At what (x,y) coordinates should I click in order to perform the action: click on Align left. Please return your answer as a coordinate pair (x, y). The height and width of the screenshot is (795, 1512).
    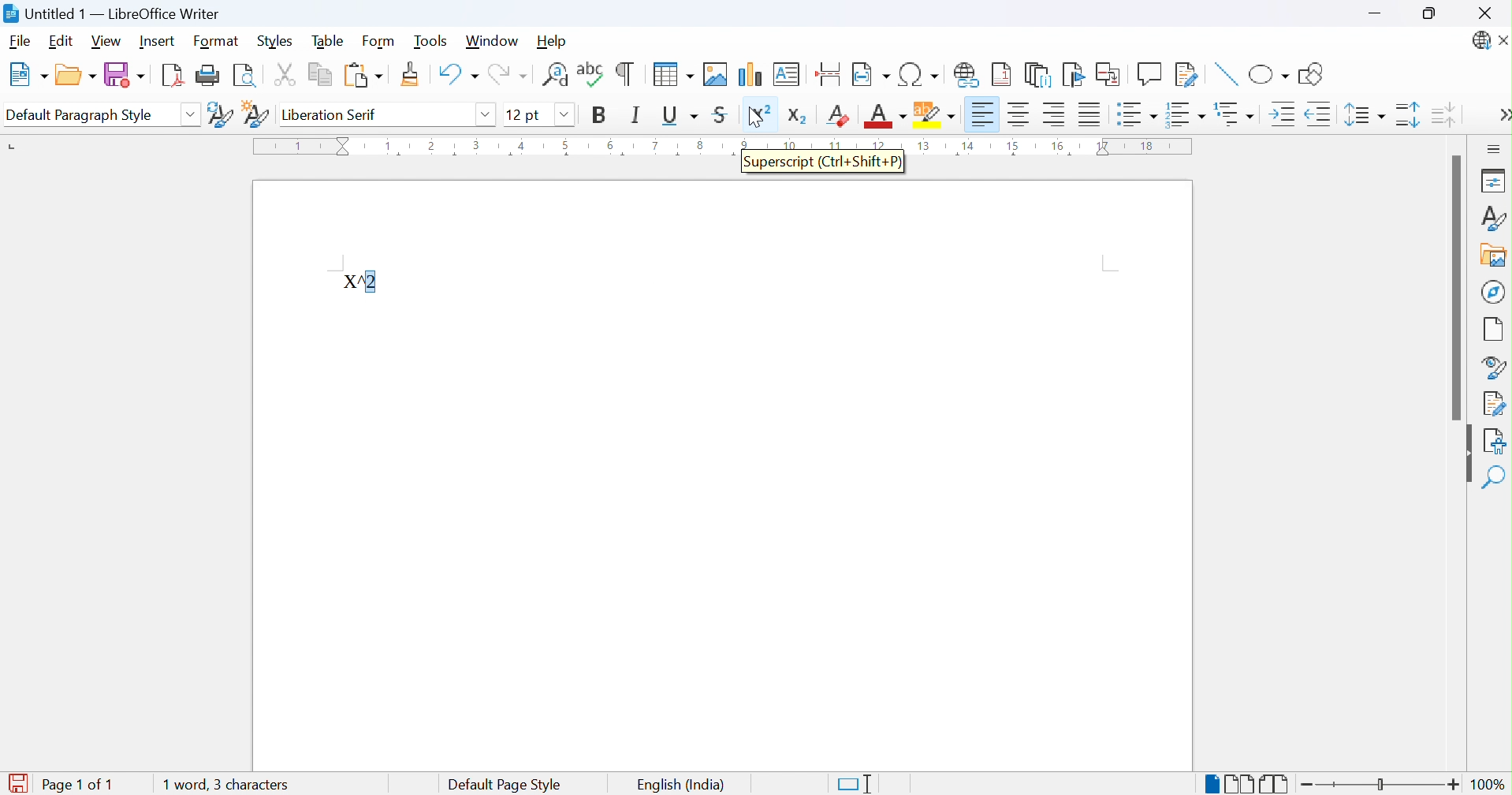
    Looking at the image, I should click on (983, 115).